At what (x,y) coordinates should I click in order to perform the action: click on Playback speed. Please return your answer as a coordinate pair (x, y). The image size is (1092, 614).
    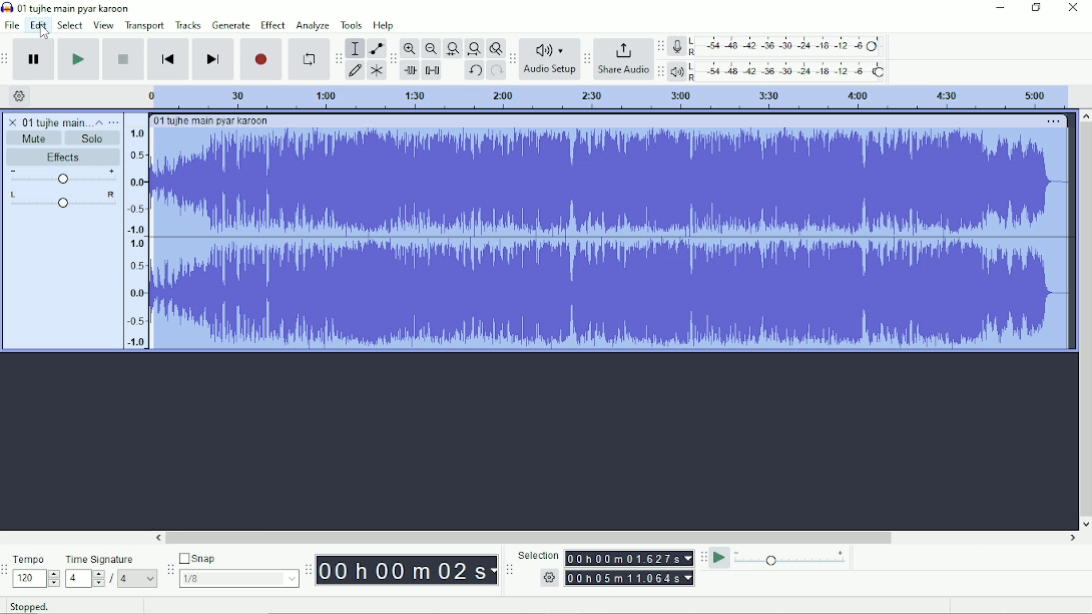
    Looking at the image, I should click on (792, 558).